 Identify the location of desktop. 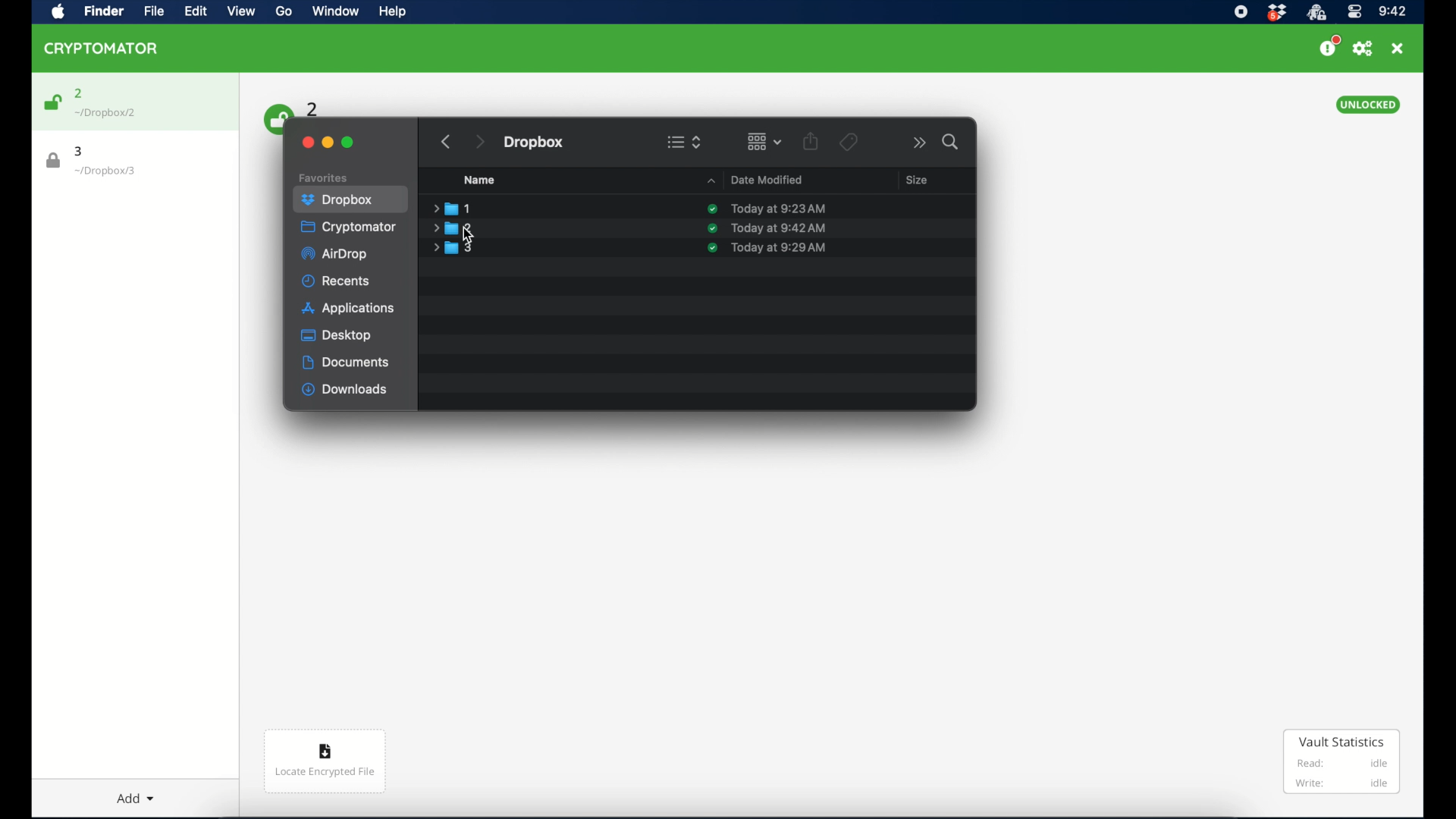
(337, 335).